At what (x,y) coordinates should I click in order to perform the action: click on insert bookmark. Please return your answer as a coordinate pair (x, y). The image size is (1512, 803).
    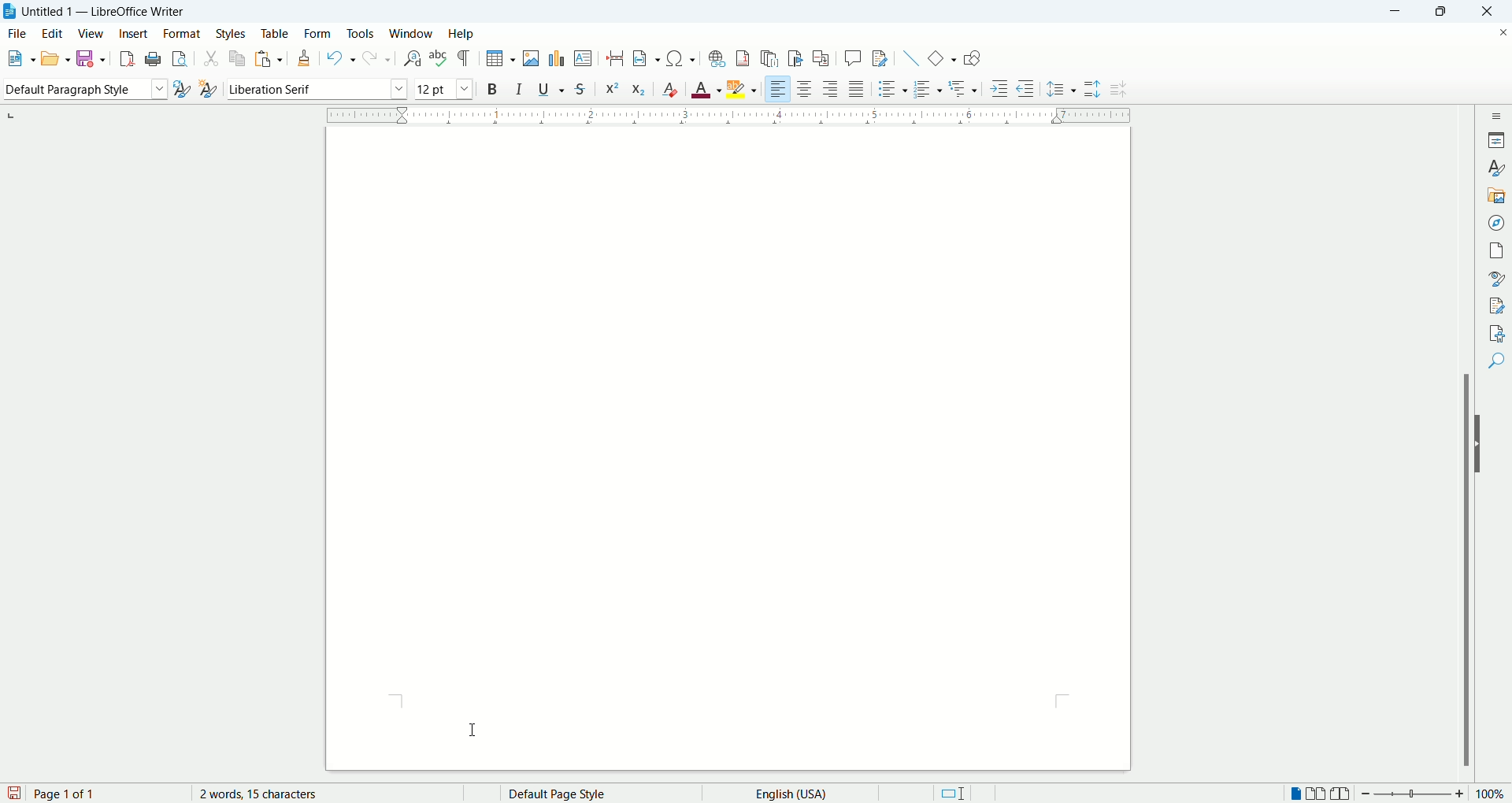
    Looking at the image, I should click on (799, 58).